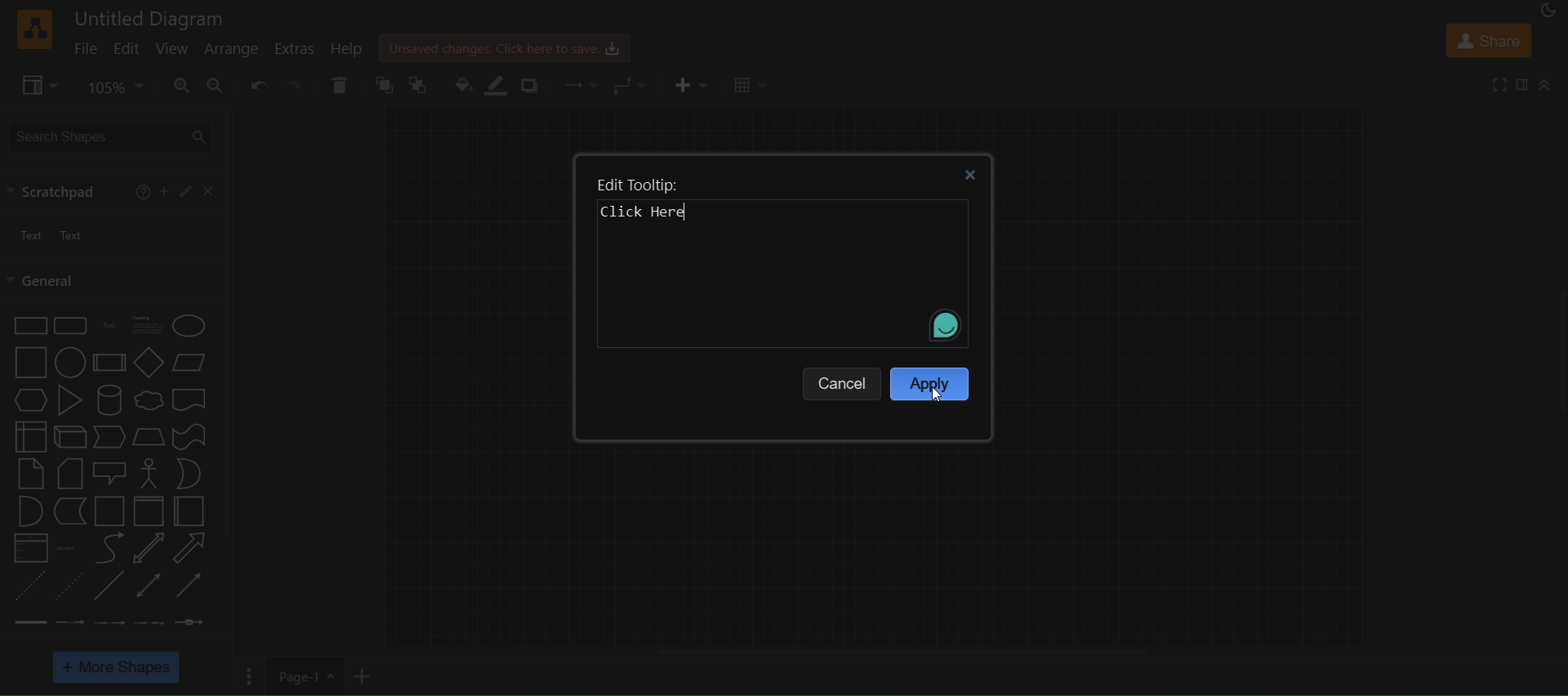  What do you see at coordinates (33, 30) in the screenshot?
I see `logo` at bounding box center [33, 30].